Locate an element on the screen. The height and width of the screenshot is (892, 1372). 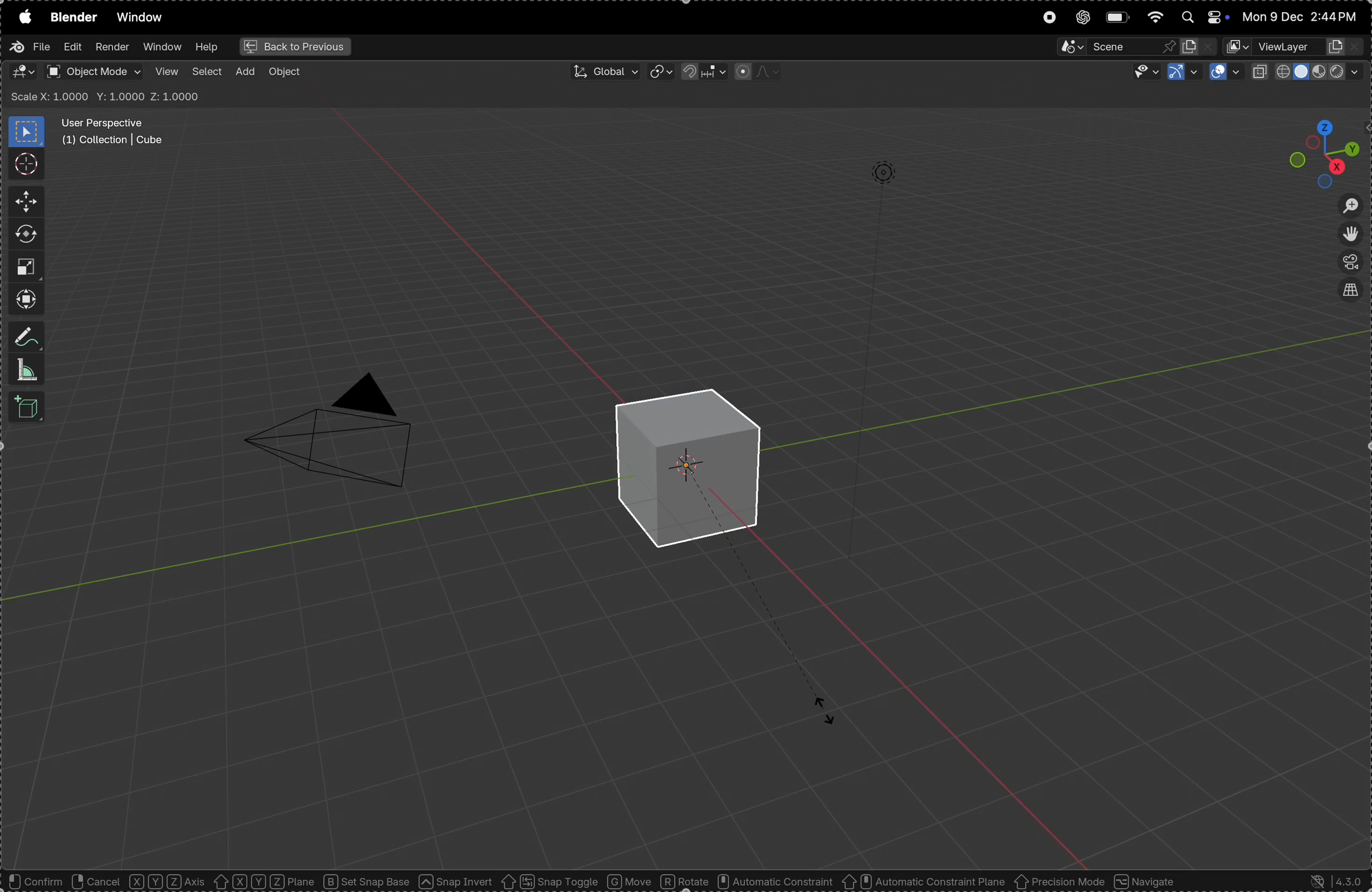
add is located at coordinates (248, 71).